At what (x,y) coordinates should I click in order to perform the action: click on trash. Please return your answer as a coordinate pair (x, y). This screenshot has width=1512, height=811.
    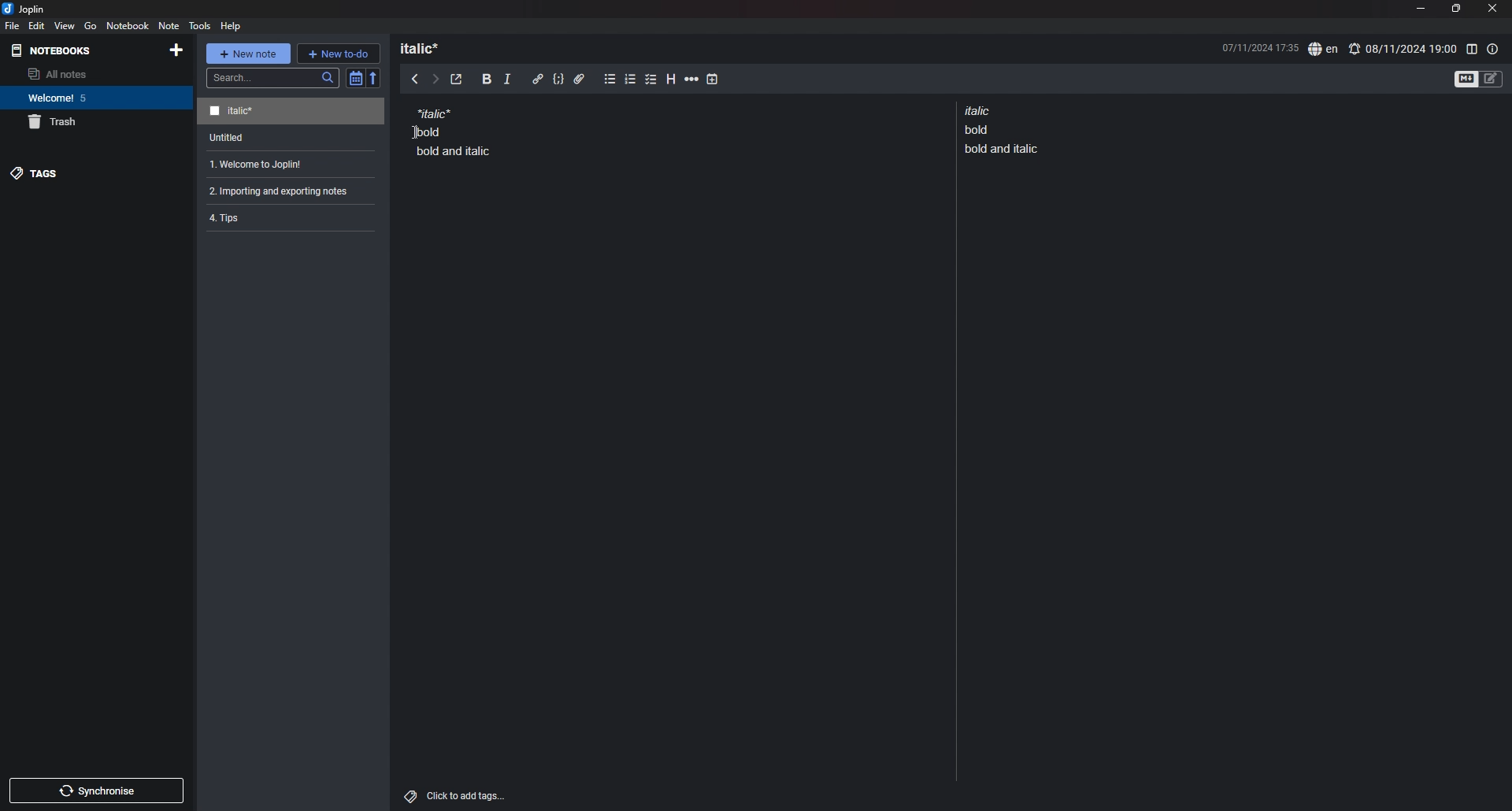
    Looking at the image, I should click on (97, 122).